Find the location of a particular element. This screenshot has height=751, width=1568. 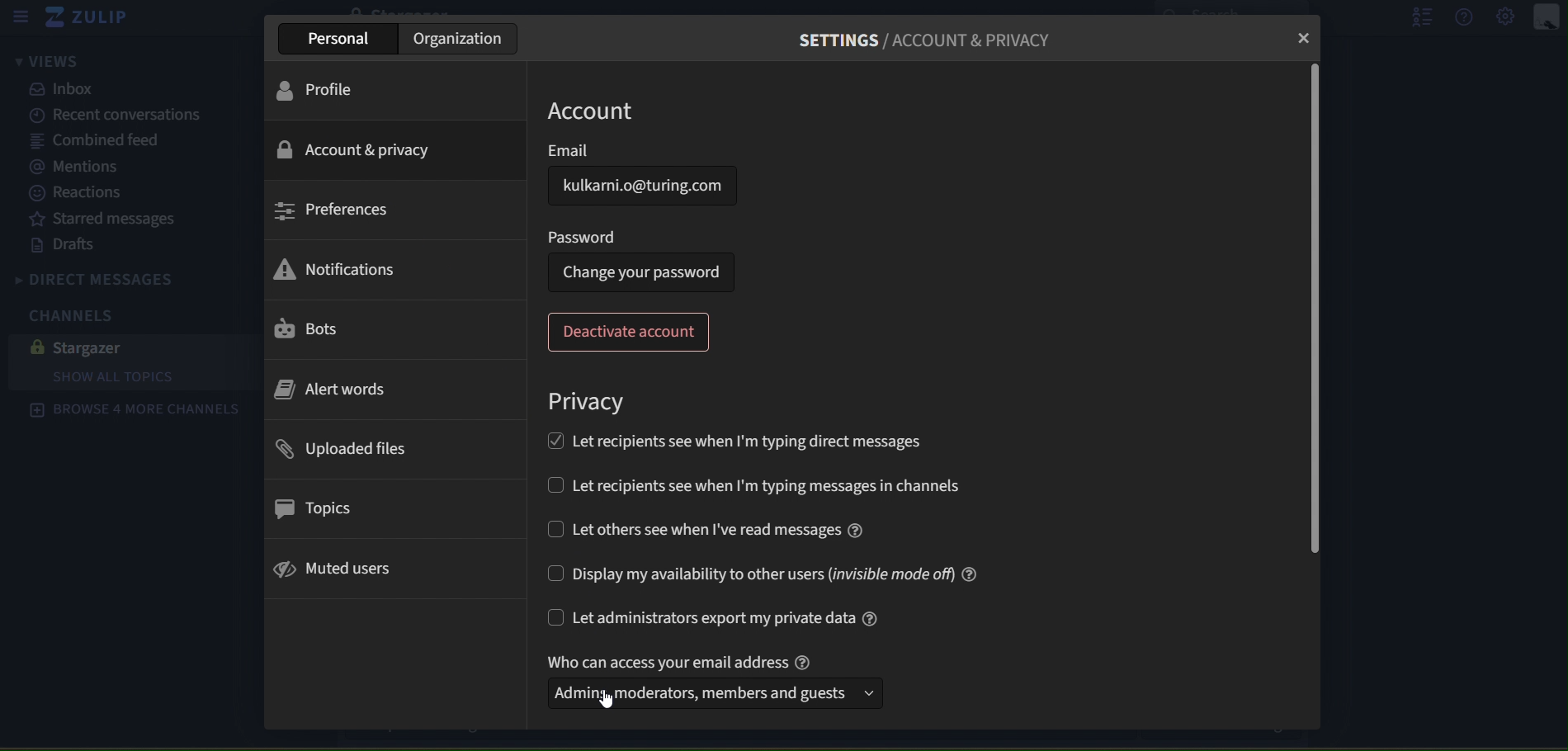

email is located at coordinates (620, 149).